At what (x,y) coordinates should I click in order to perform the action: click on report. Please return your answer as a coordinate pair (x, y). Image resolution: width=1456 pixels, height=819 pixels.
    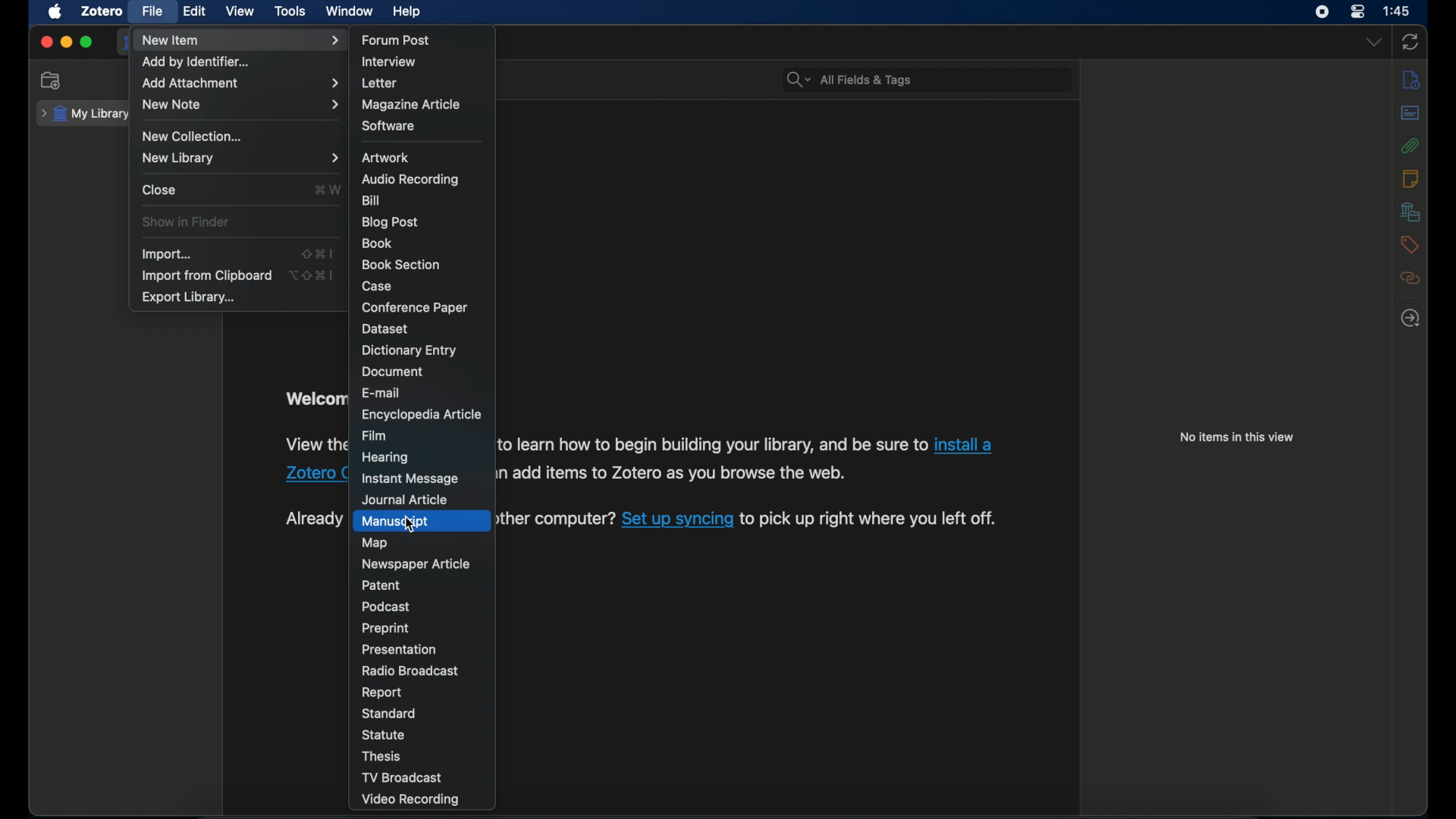
    Looking at the image, I should click on (384, 693).